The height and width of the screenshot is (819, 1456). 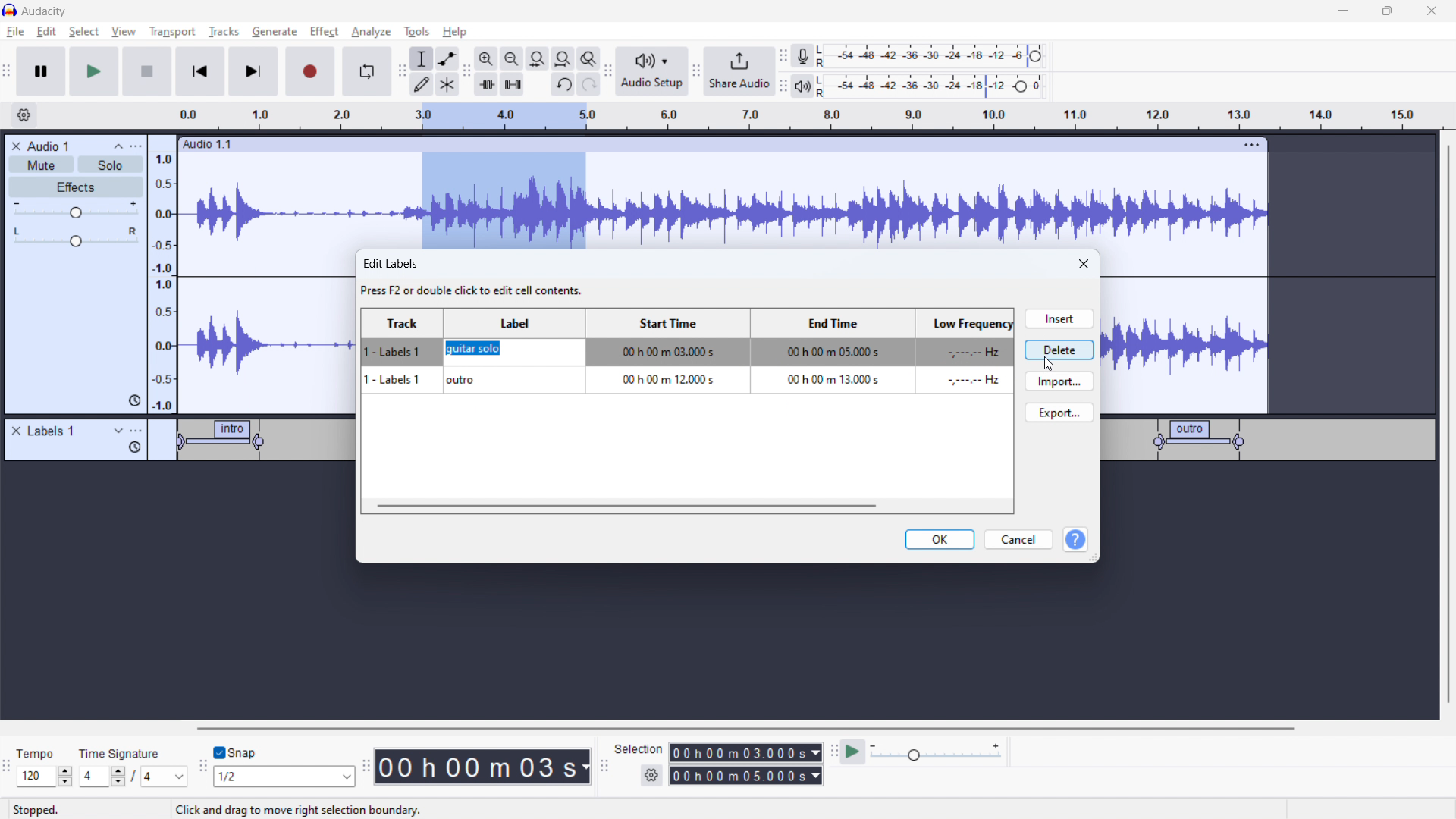 I want to click on selection tool, so click(x=422, y=58).